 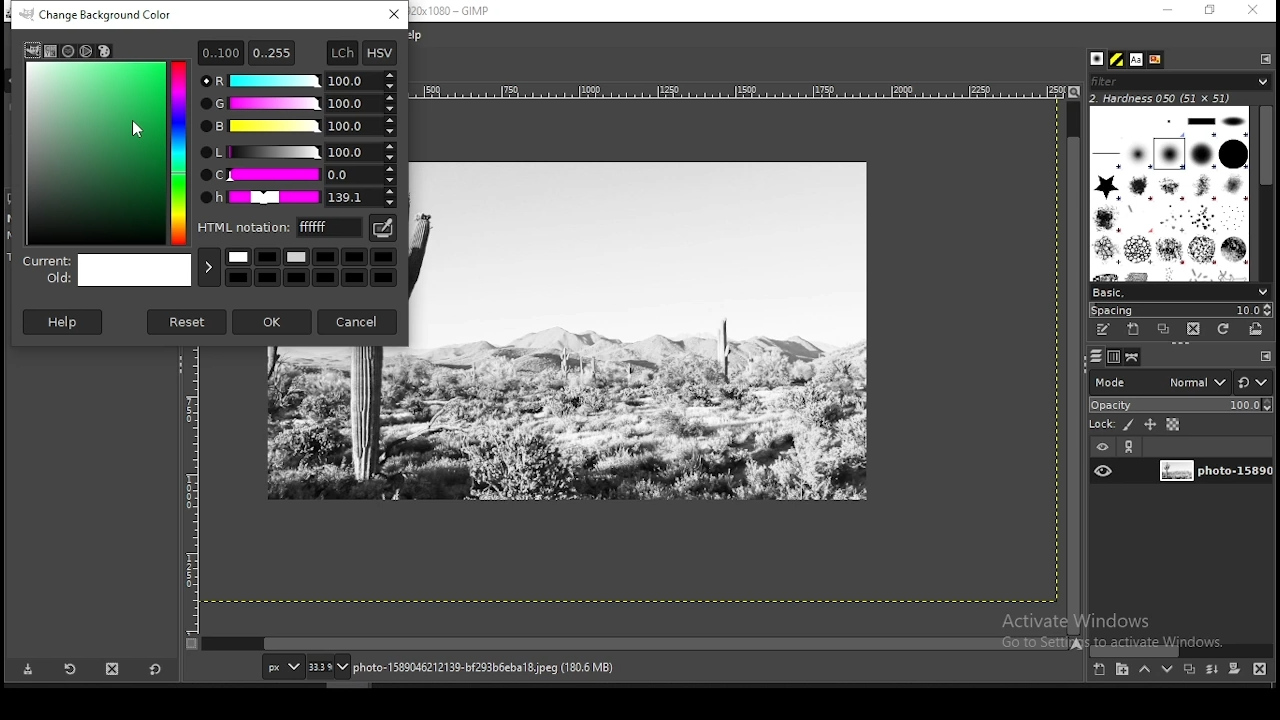 What do you see at coordinates (1167, 669) in the screenshot?
I see `move layer one step down` at bounding box center [1167, 669].